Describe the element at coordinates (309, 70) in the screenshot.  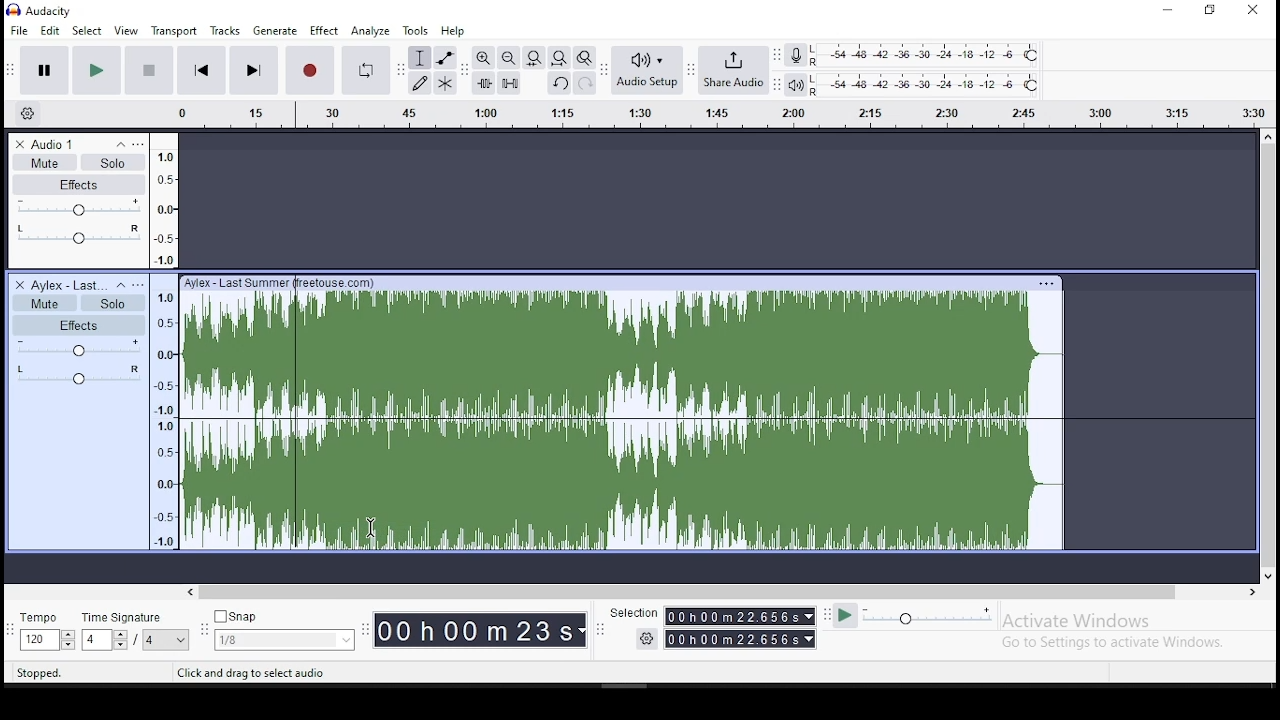
I see `record` at that location.